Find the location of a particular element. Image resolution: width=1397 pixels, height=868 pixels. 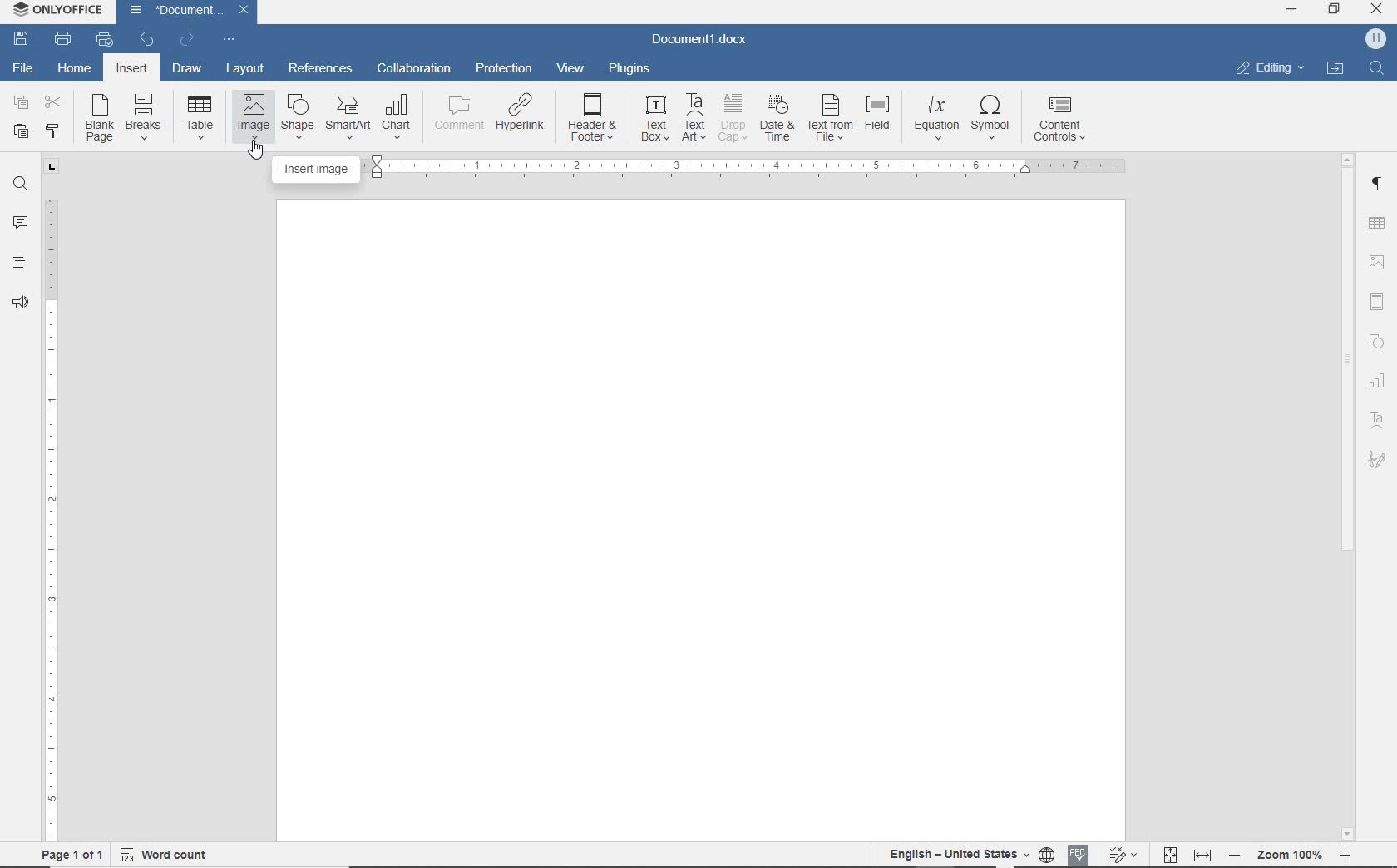

field is located at coordinates (881, 118).